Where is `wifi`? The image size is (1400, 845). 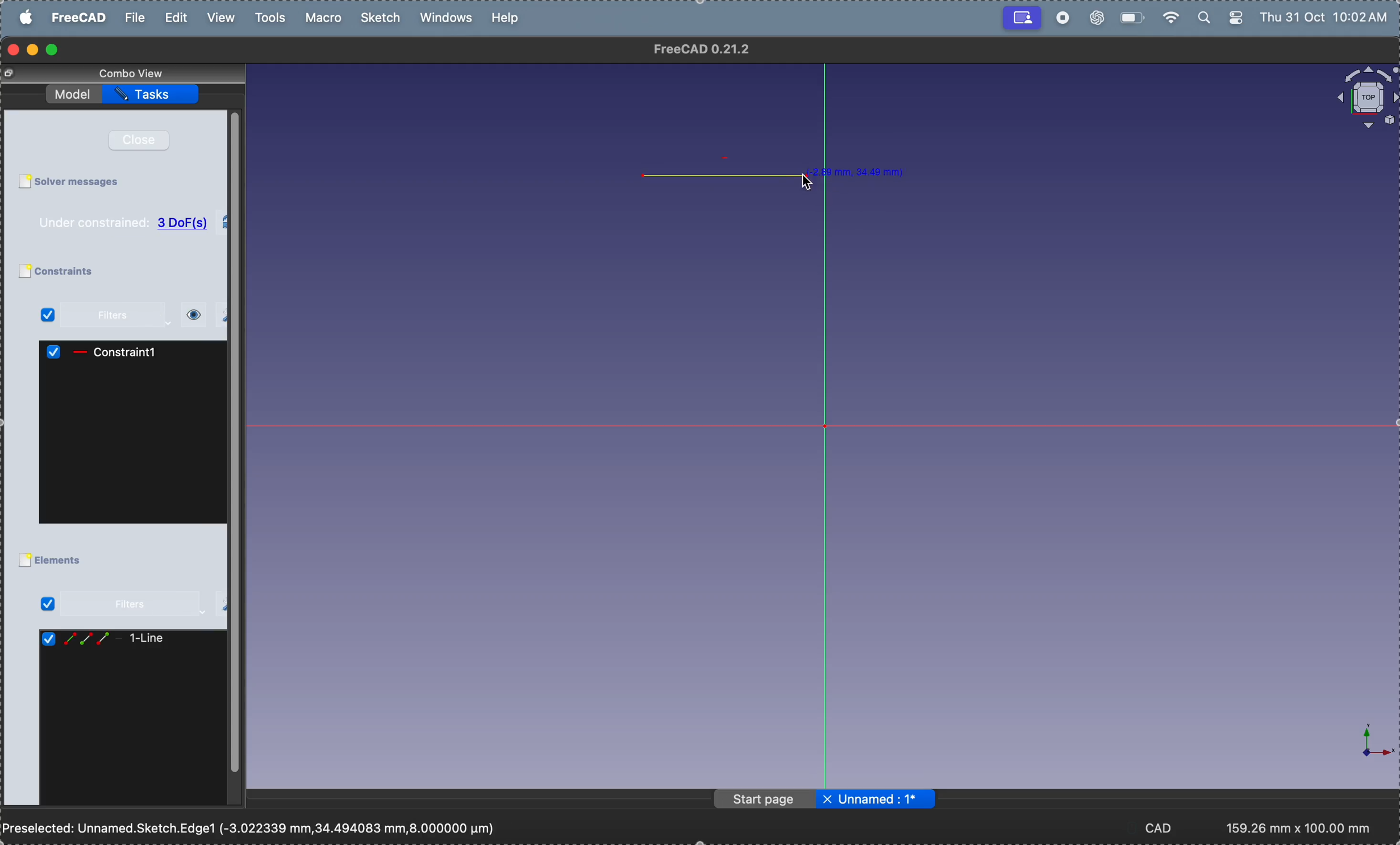
wifi is located at coordinates (1168, 18).